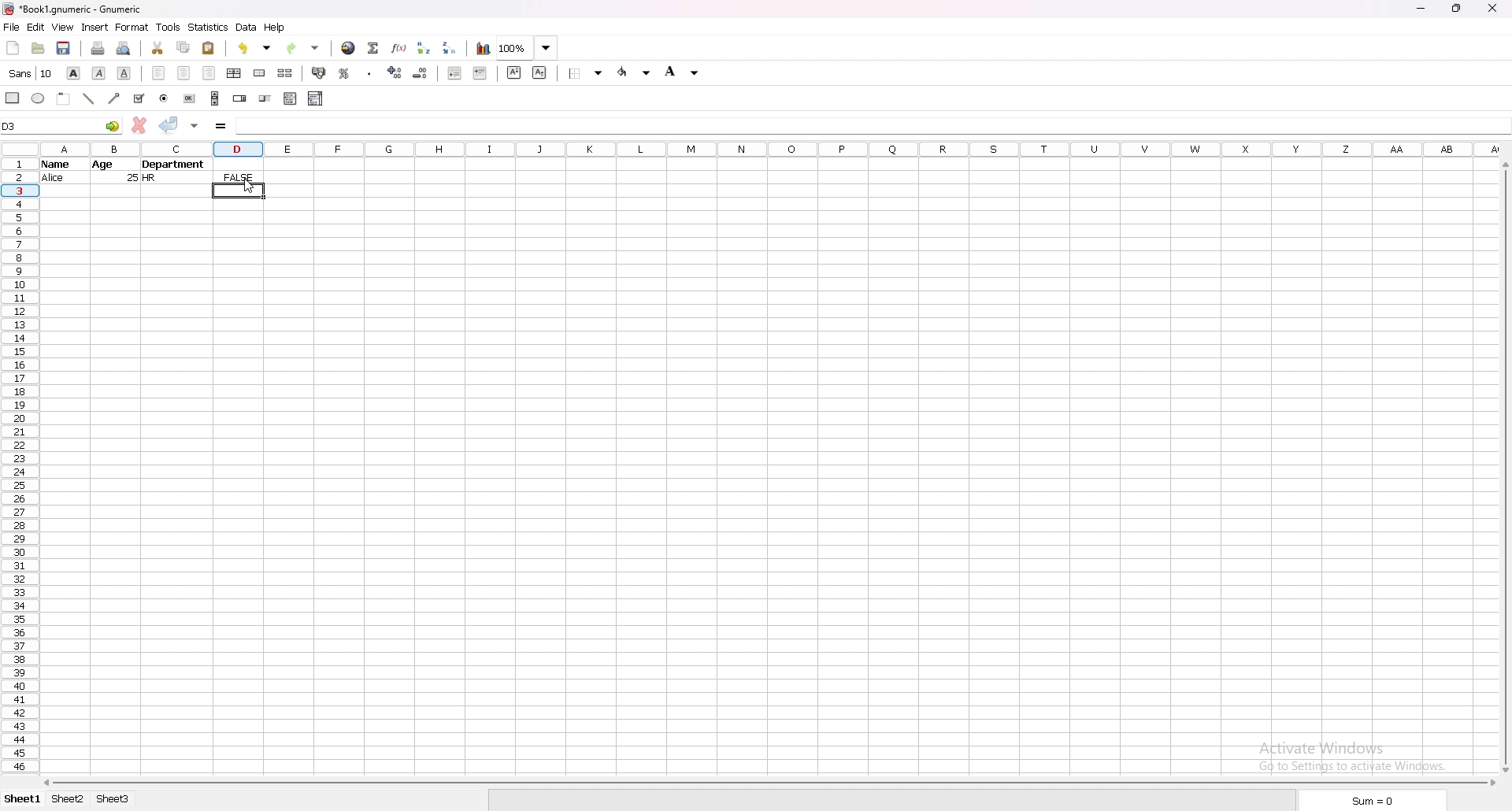 Image resolution: width=1512 pixels, height=811 pixels. What do you see at coordinates (246, 28) in the screenshot?
I see `data` at bounding box center [246, 28].